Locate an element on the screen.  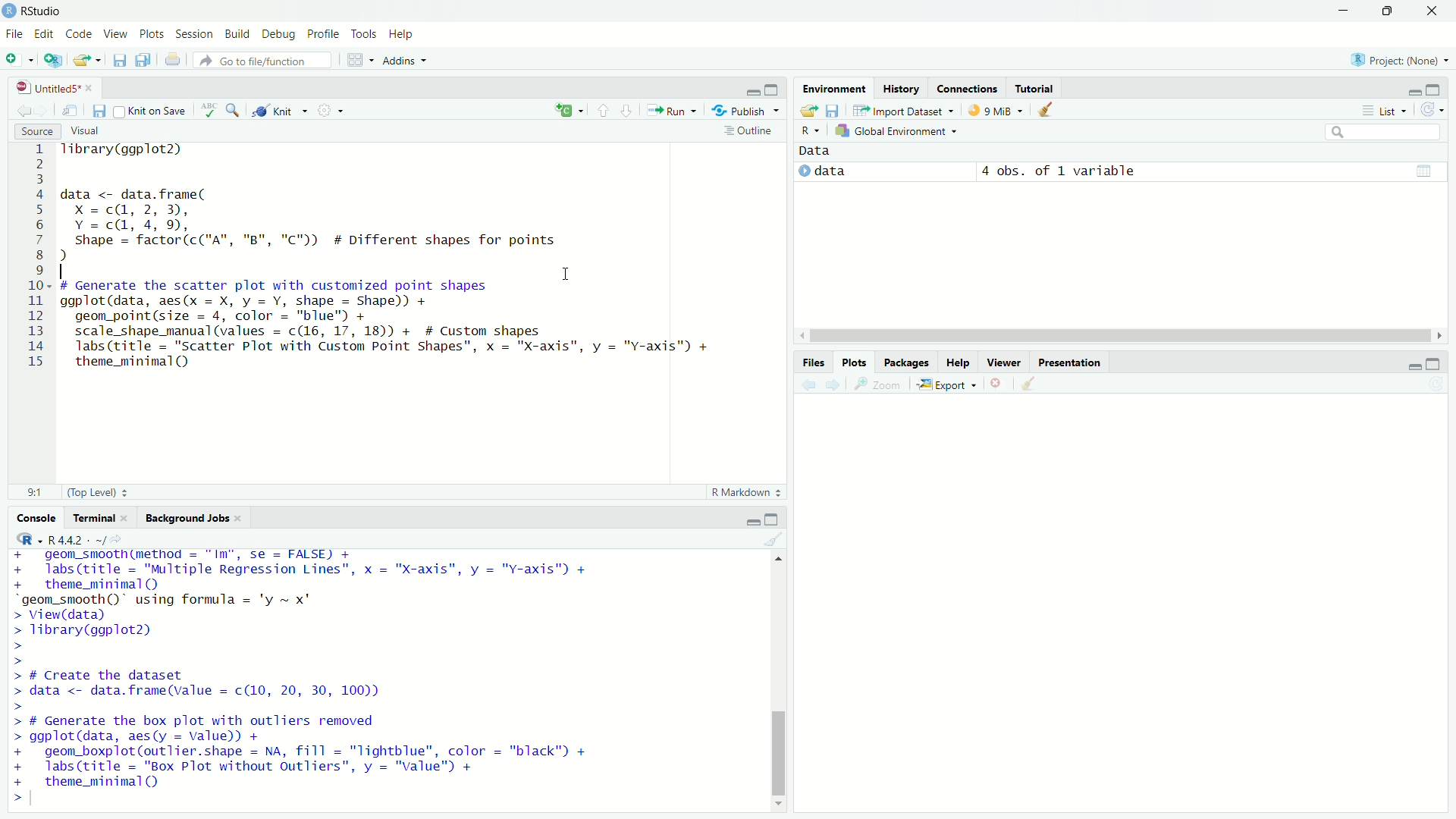
minimize is located at coordinates (1411, 91).